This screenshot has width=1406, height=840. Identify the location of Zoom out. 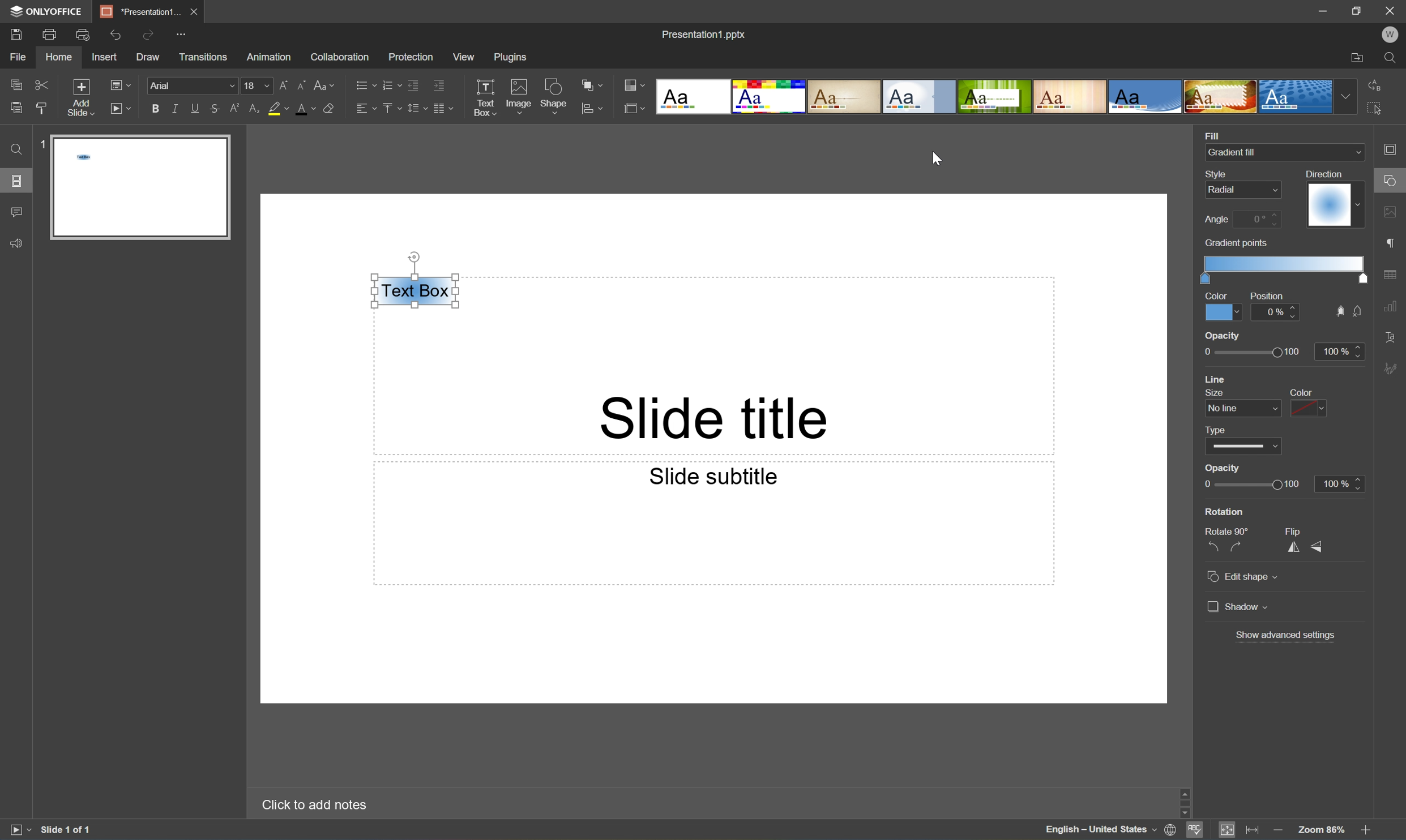
(1278, 829).